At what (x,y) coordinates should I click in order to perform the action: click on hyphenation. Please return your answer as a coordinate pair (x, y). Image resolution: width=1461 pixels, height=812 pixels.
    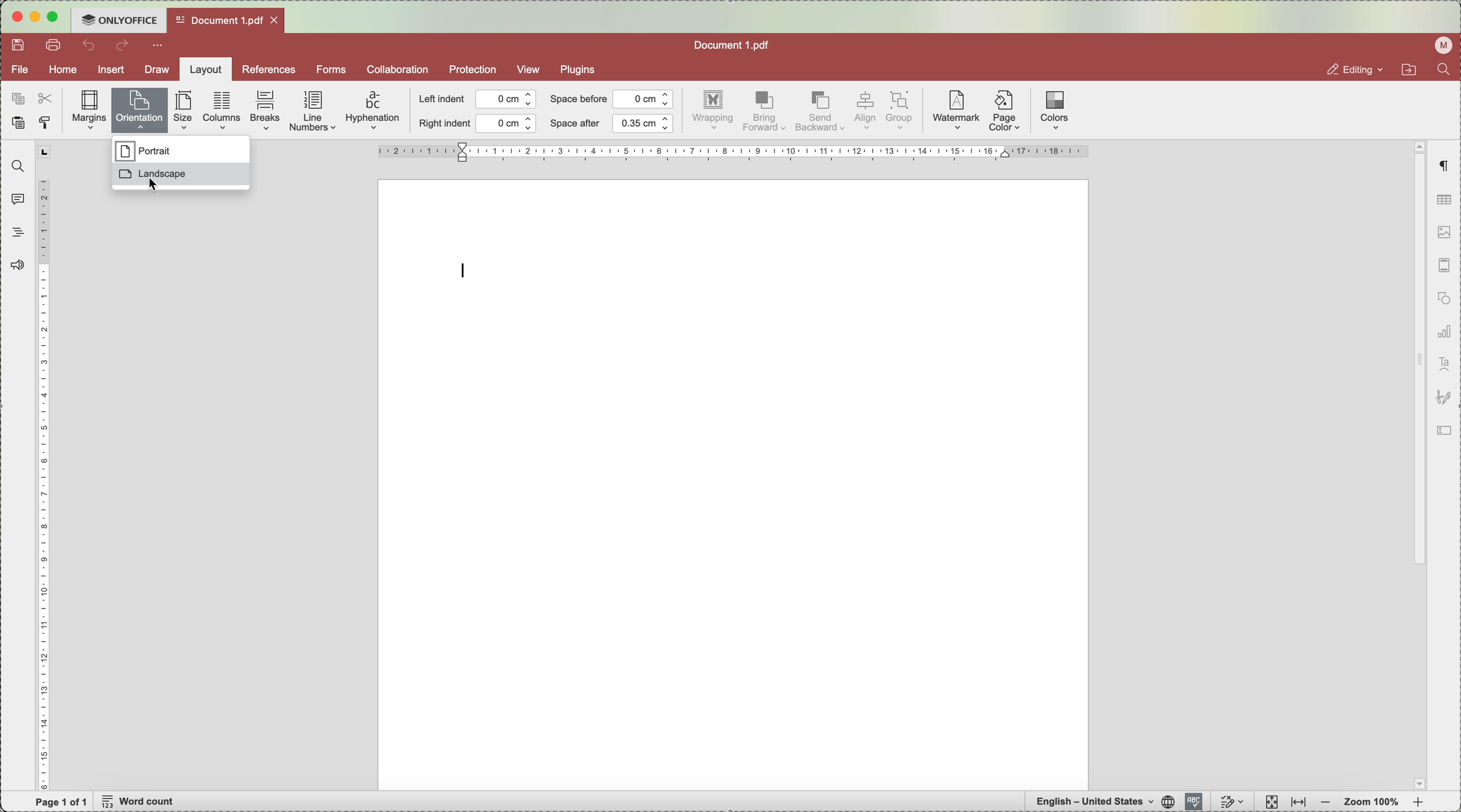
    Looking at the image, I should click on (373, 111).